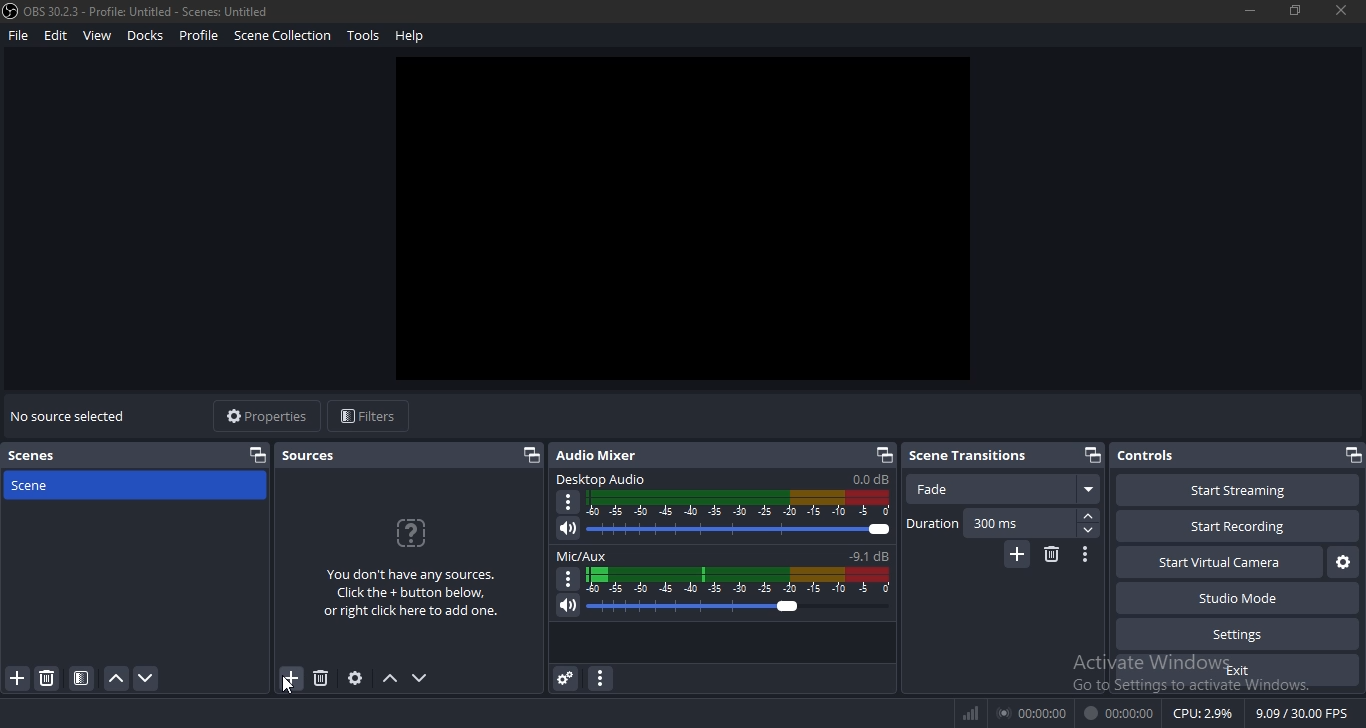  What do you see at coordinates (1222, 562) in the screenshot?
I see `start virtual camera` at bounding box center [1222, 562].